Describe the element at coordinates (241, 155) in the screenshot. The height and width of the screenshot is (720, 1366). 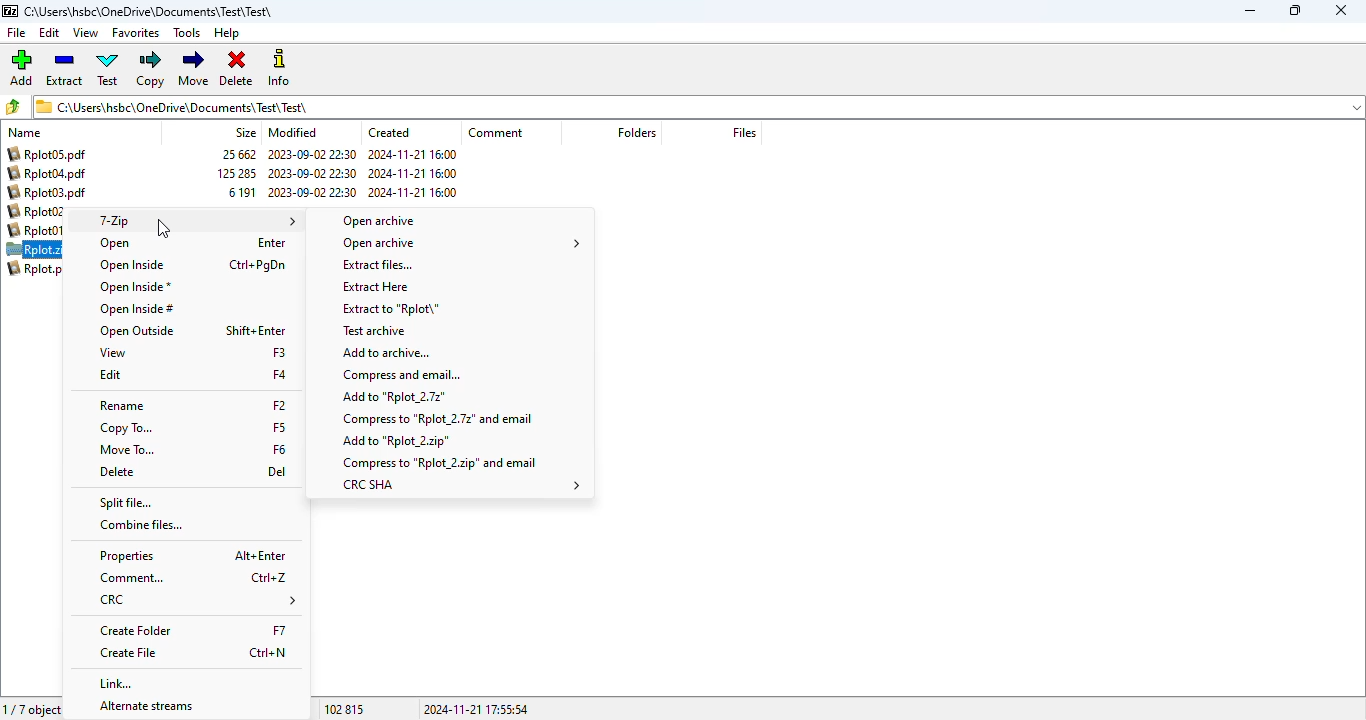
I see `25 662` at that location.